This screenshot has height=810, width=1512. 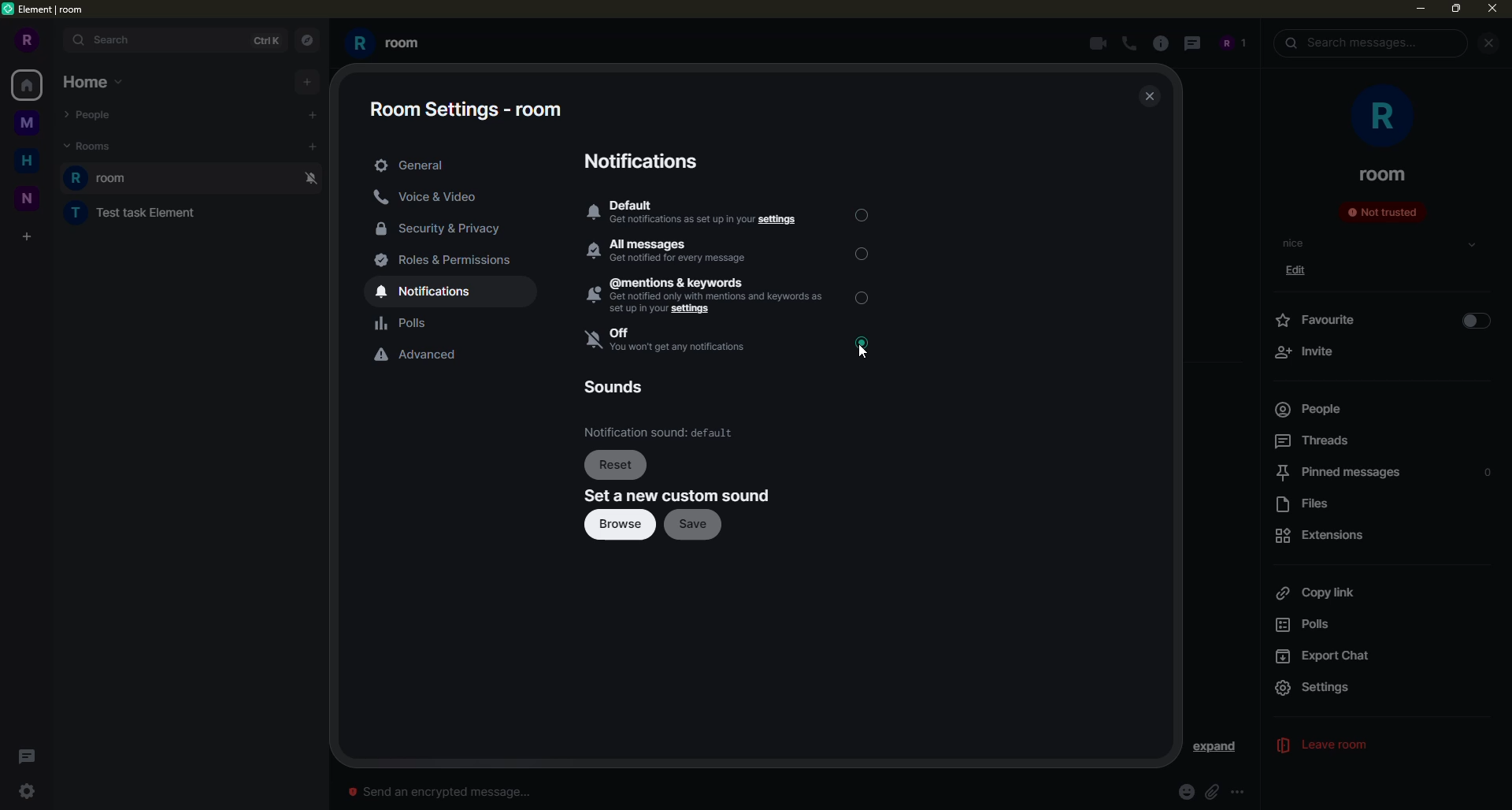 What do you see at coordinates (1314, 440) in the screenshot?
I see `threads` at bounding box center [1314, 440].